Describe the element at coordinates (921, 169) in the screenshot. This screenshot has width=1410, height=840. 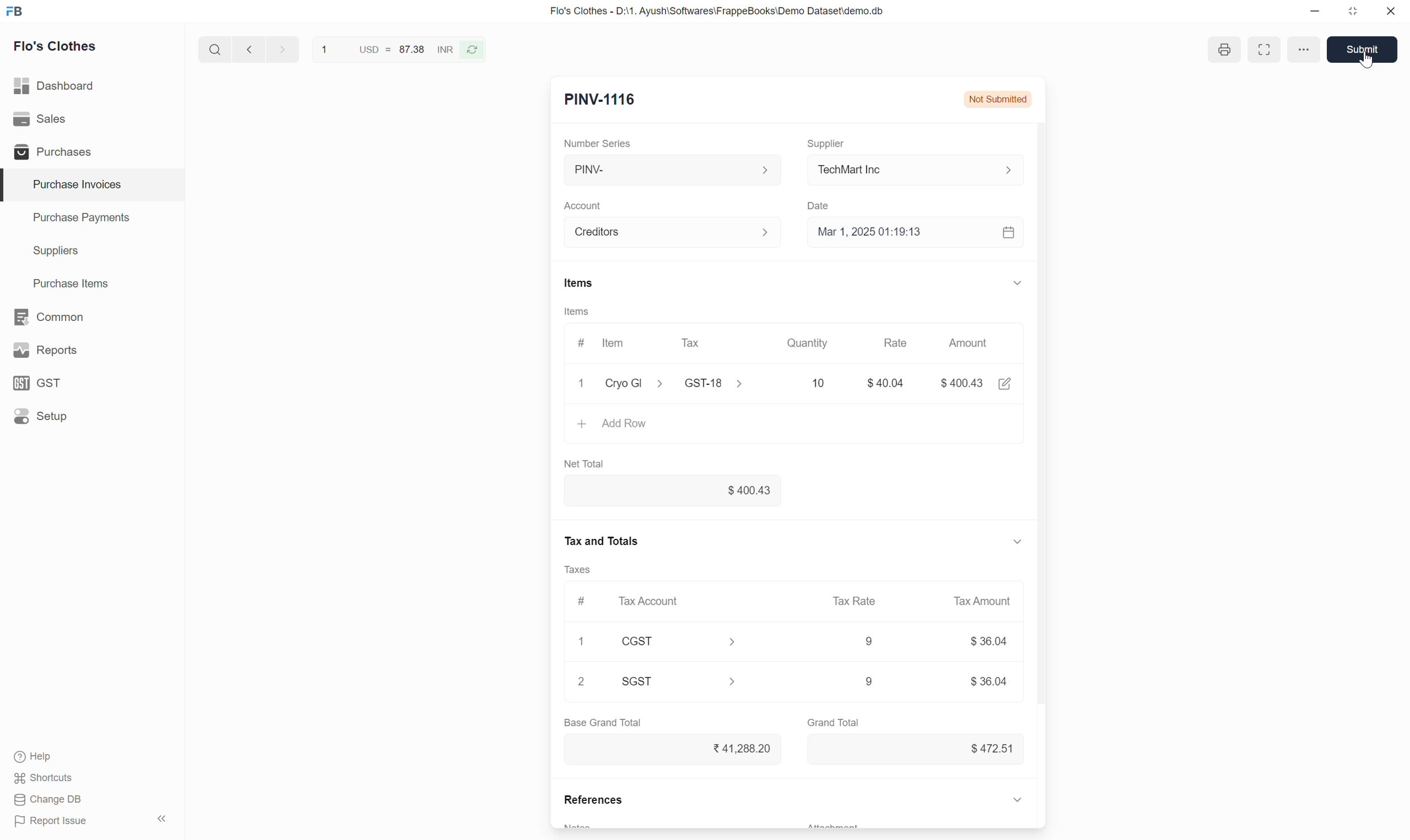
I see `TechMart Inc.` at that location.